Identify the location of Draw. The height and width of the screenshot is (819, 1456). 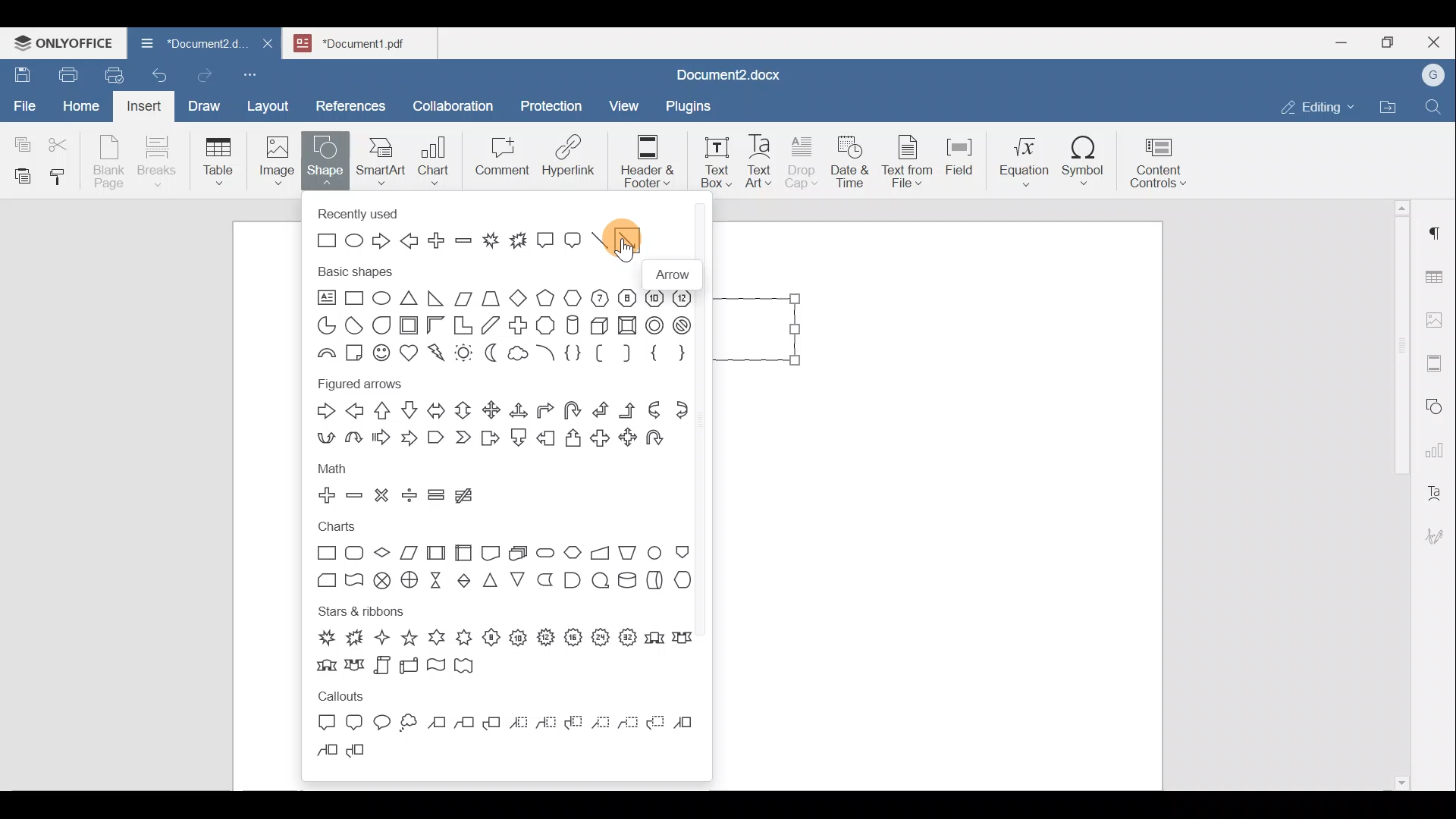
(202, 102).